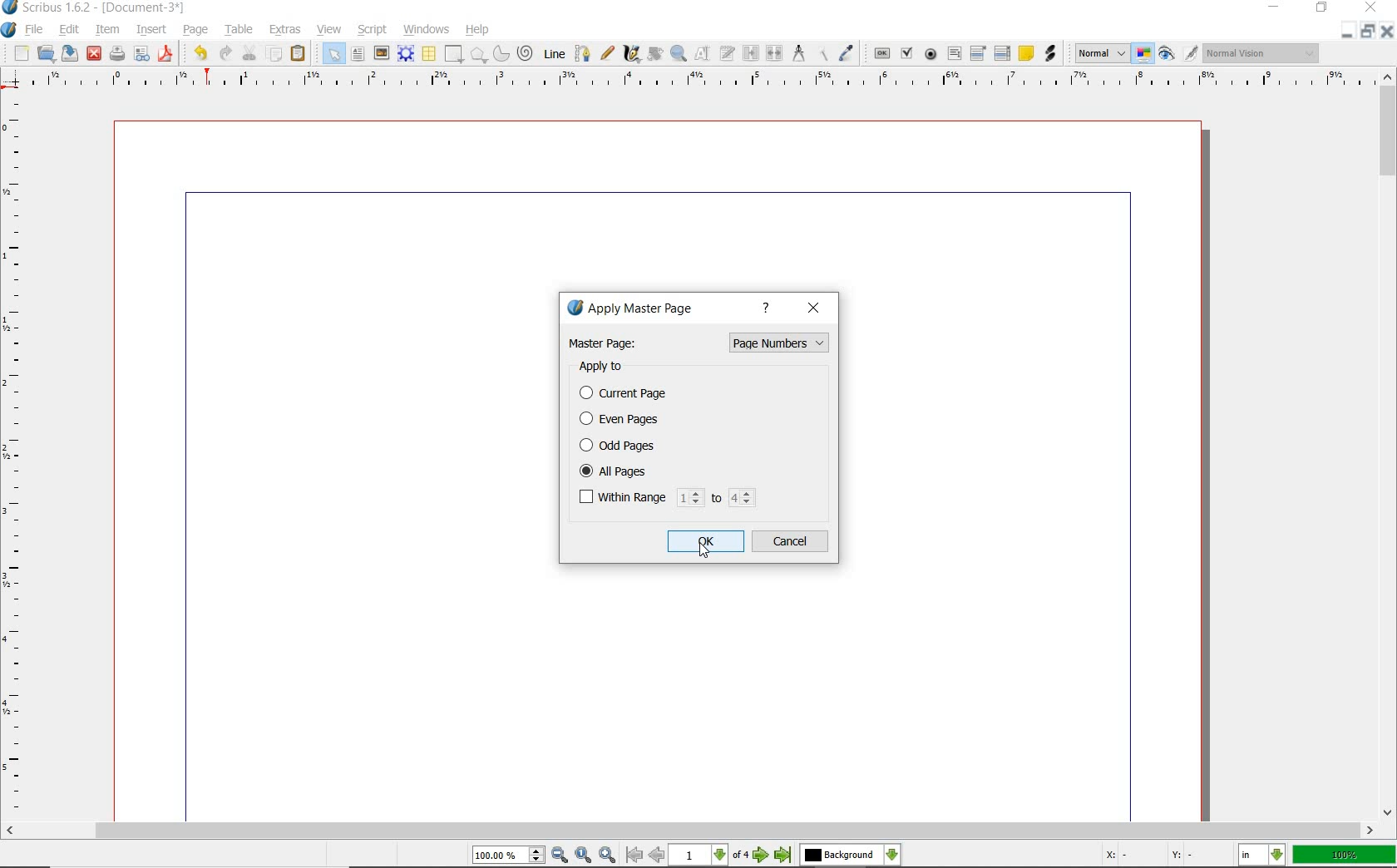 This screenshot has width=1397, height=868. Describe the element at coordinates (373, 31) in the screenshot. I see `script` at that location.